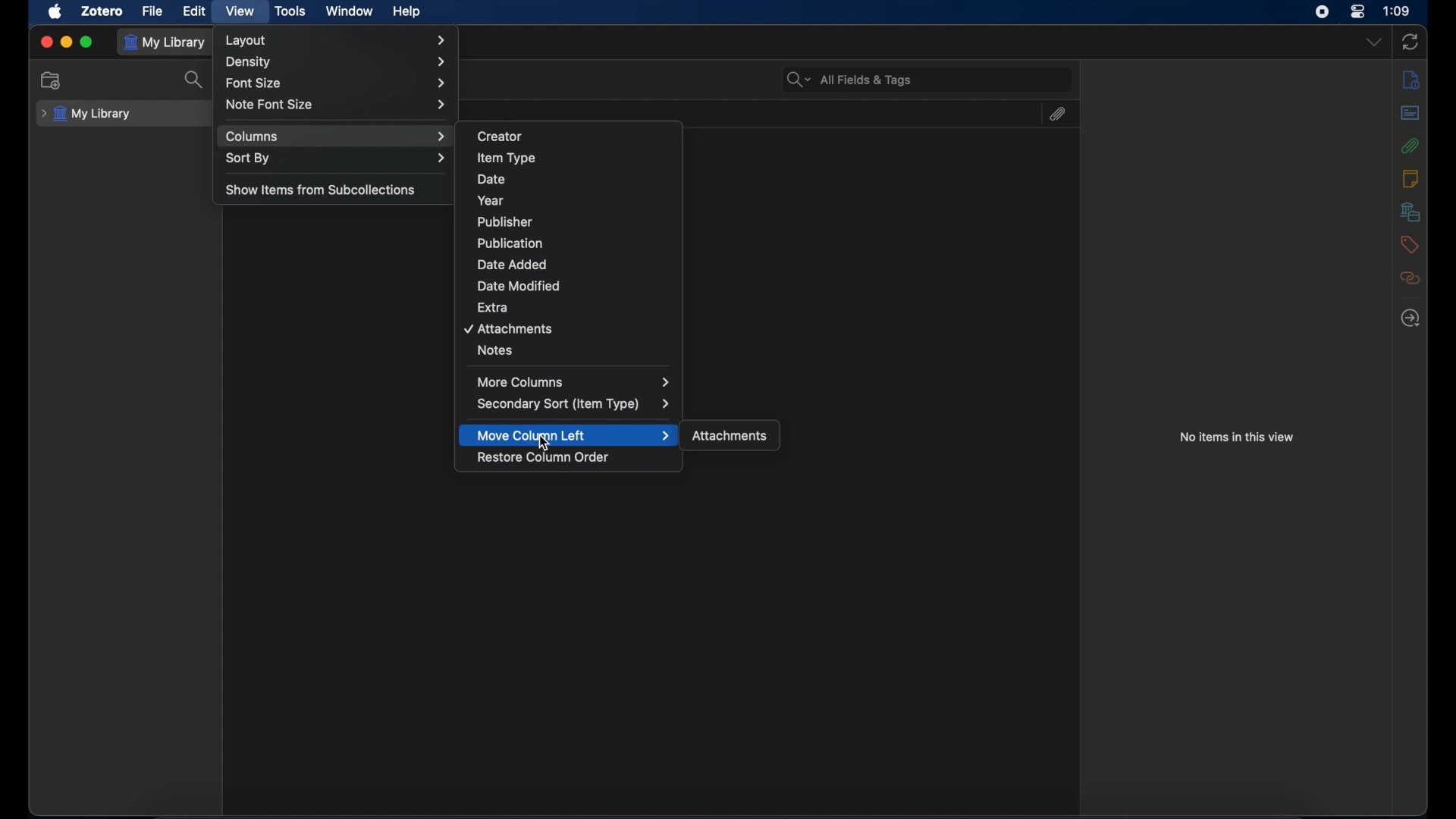  I want to click on related, so click(1410, 278).